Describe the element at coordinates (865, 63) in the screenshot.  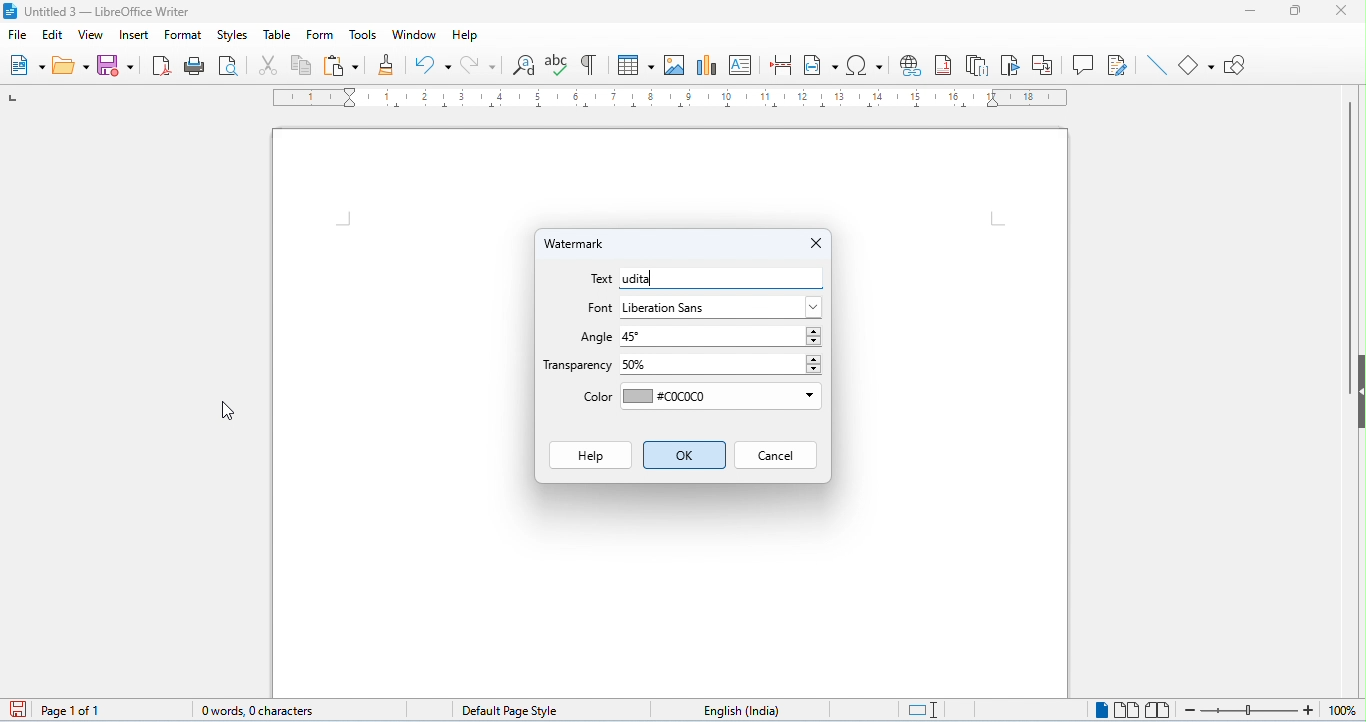
I see `insert special characters` at that location.